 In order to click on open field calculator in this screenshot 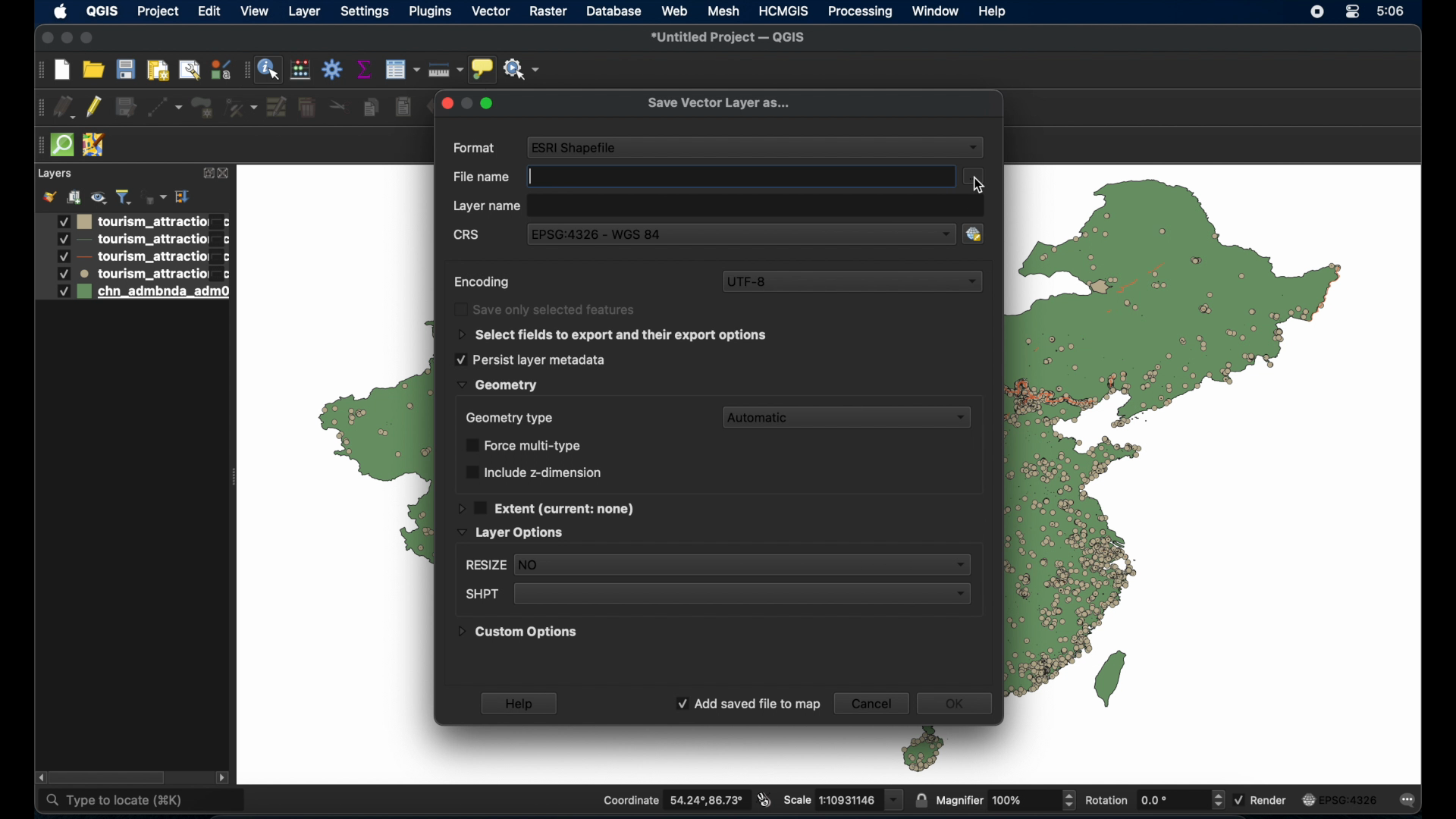, I will do `click(300, 69)`.